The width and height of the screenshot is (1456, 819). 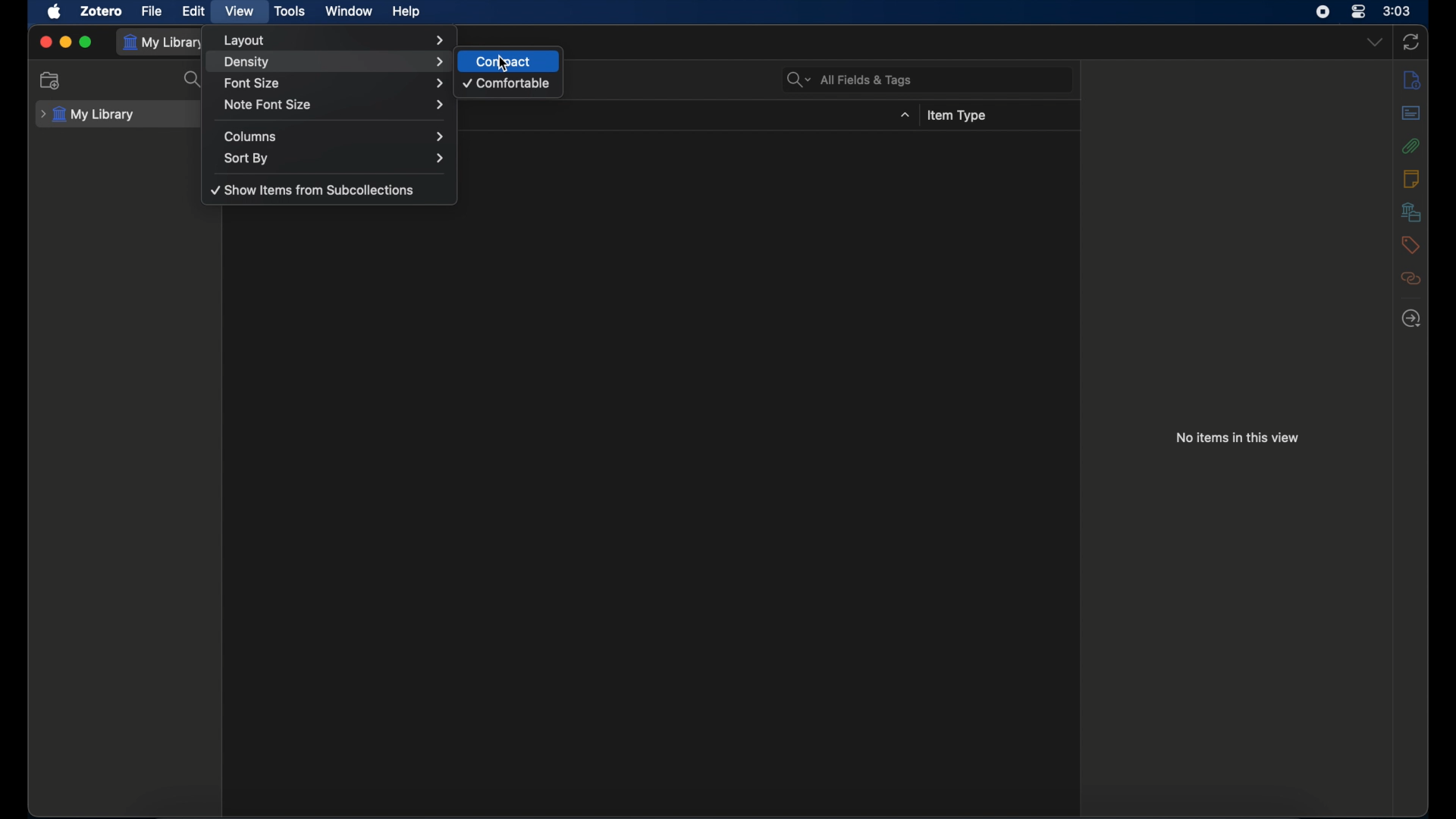 What do you see at coordinates (504, 64) in the screenshot?
I see `cursor` at bounding box center [504, 64].